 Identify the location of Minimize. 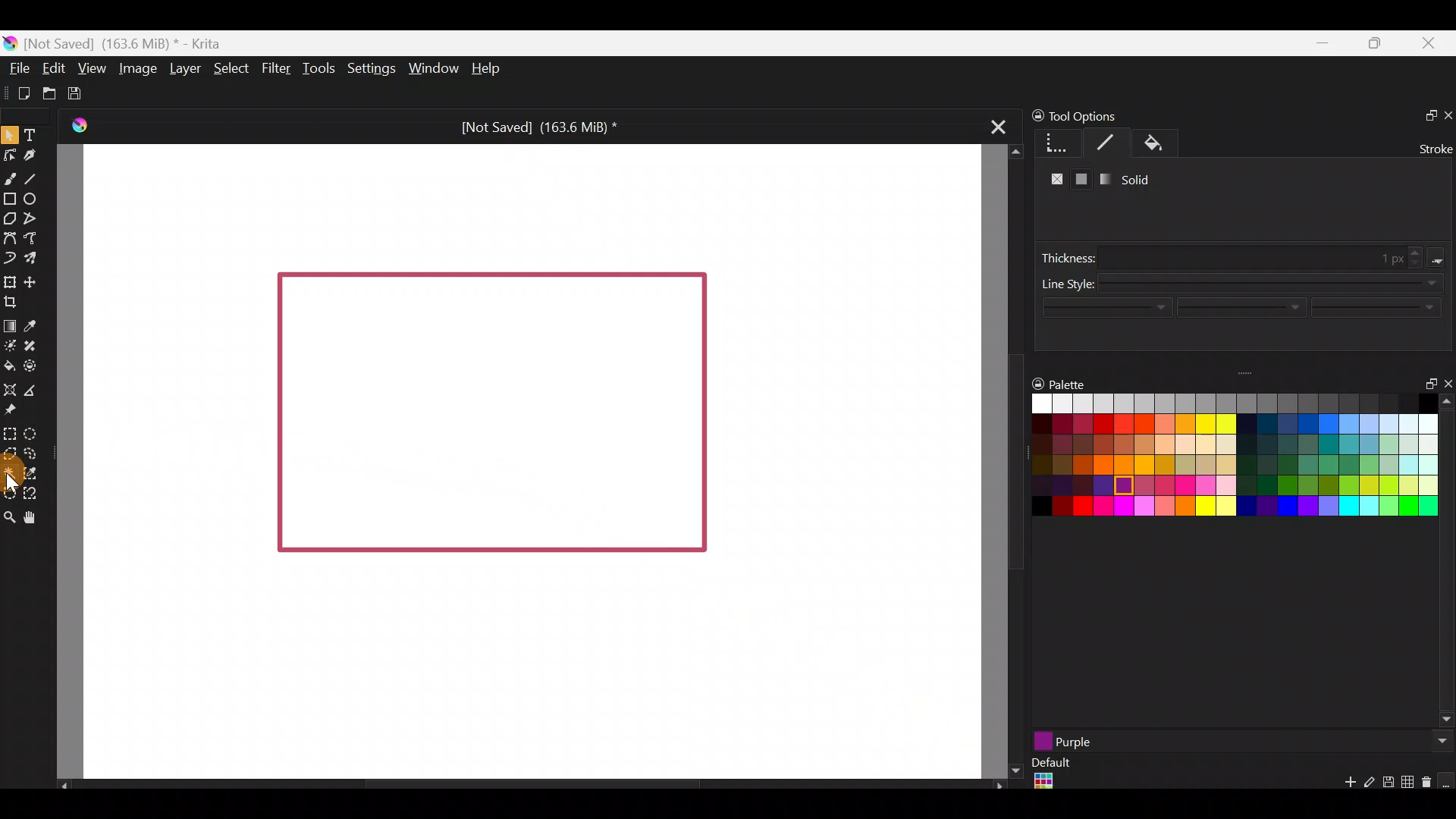
(1323, 44).